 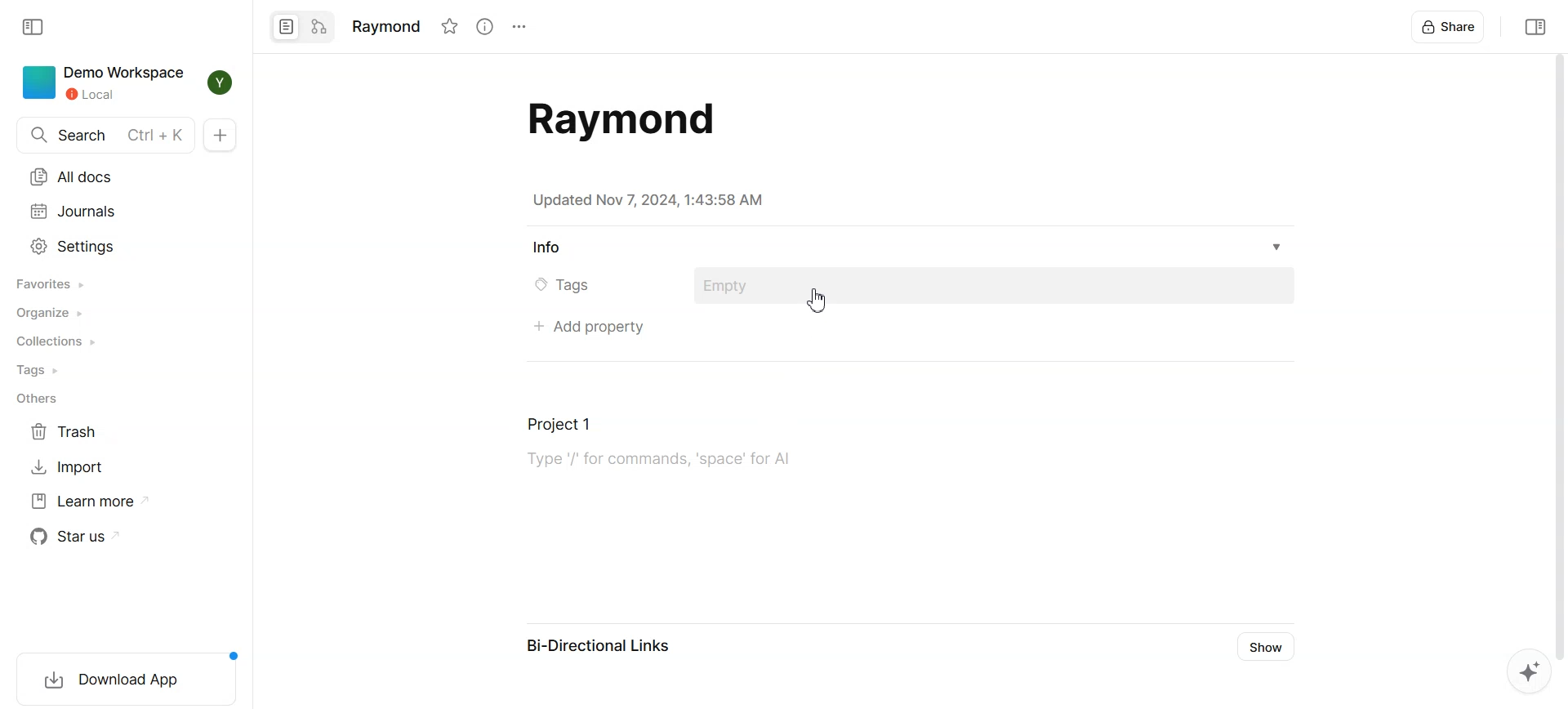 I want to click on Others, so click(x=36, y=400).